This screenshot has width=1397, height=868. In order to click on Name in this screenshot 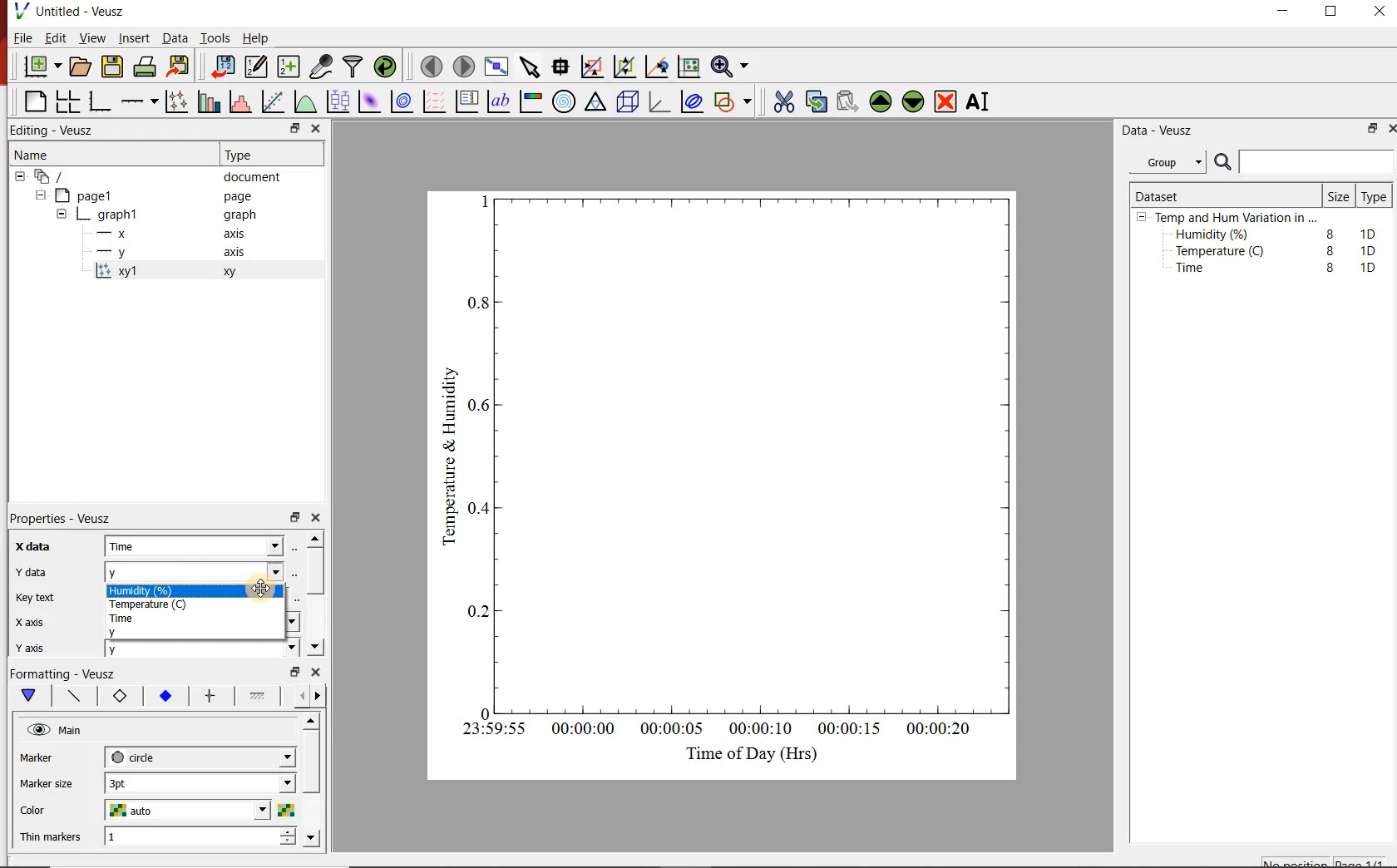, I will do `click(47, 156)`.